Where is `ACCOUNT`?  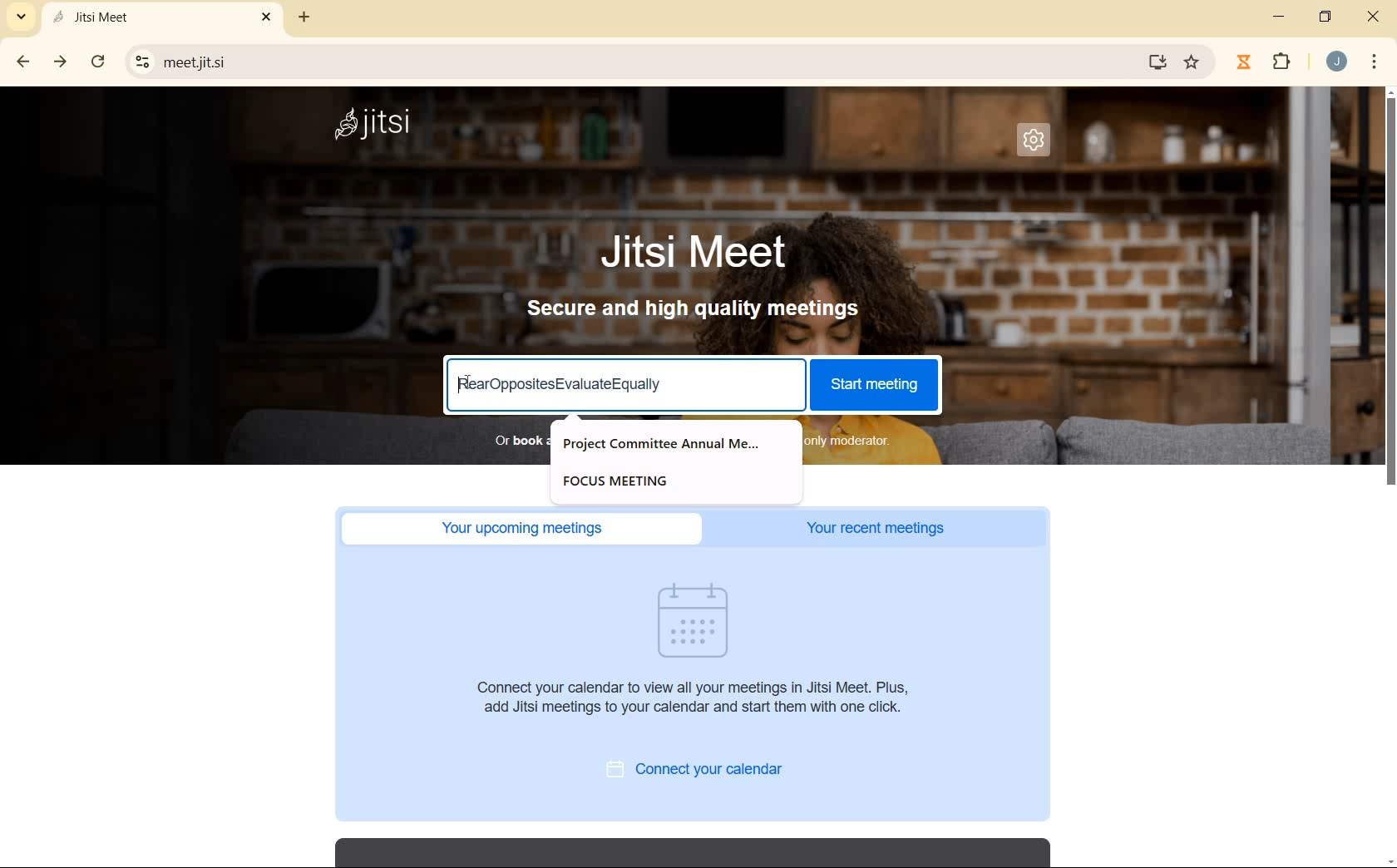
ACCOUNT is located at coordinates (1337, 62).